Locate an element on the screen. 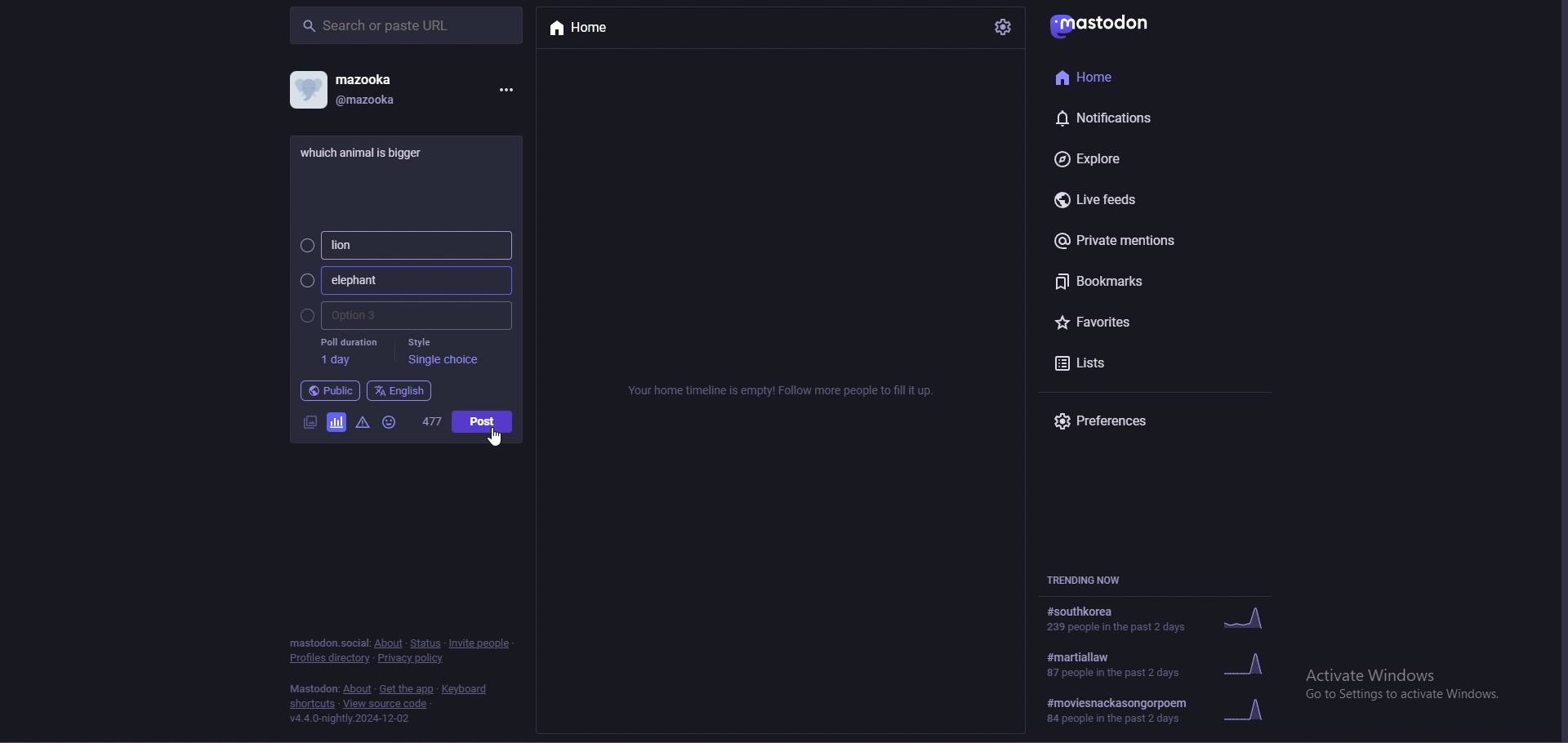  mastodon is located at coordinates (327, 642).